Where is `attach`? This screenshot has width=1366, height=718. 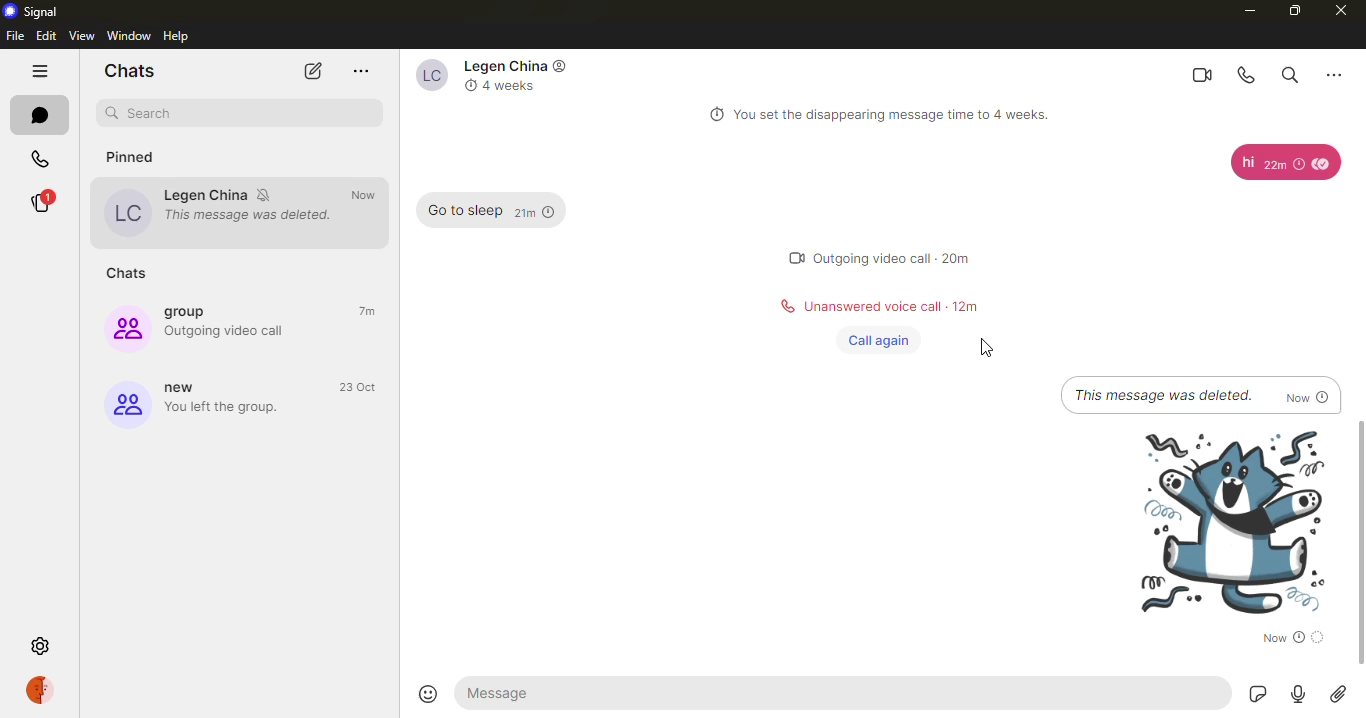 attach is located at coordinates (1338, 695).